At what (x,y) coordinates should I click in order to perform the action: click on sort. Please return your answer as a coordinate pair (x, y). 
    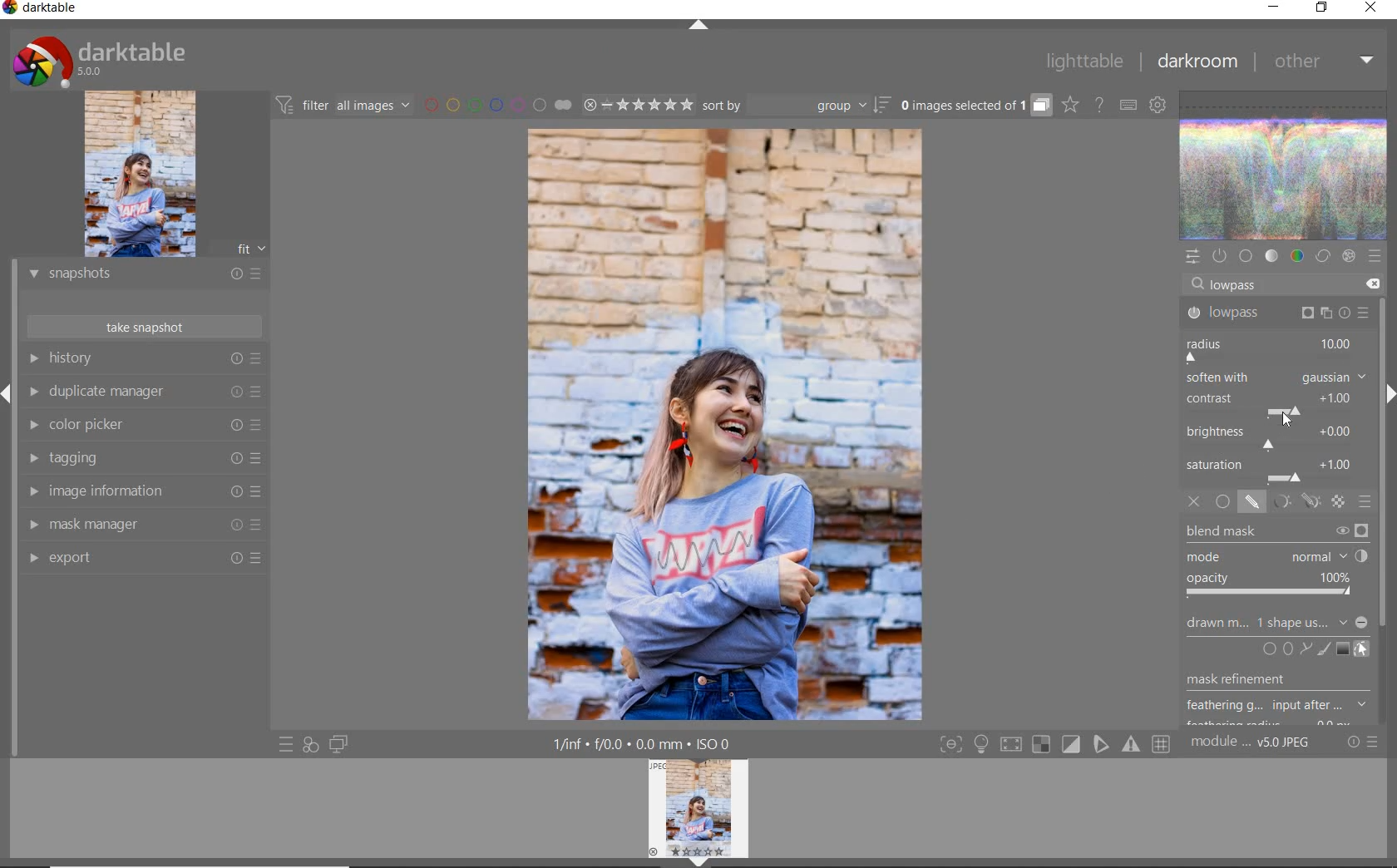
    Looking at the image, I should click on (797, 107).